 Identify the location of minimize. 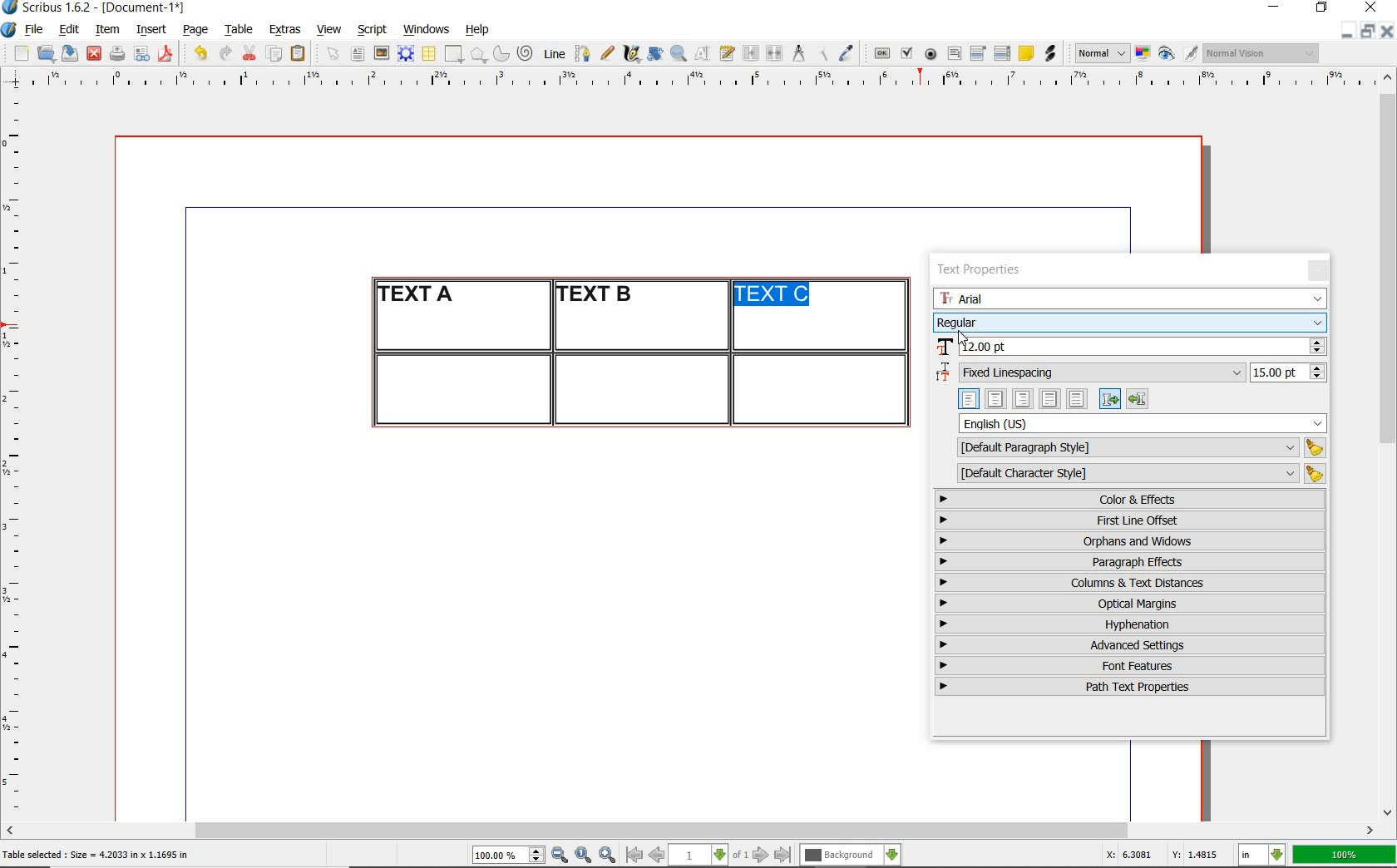
(1348, 30).